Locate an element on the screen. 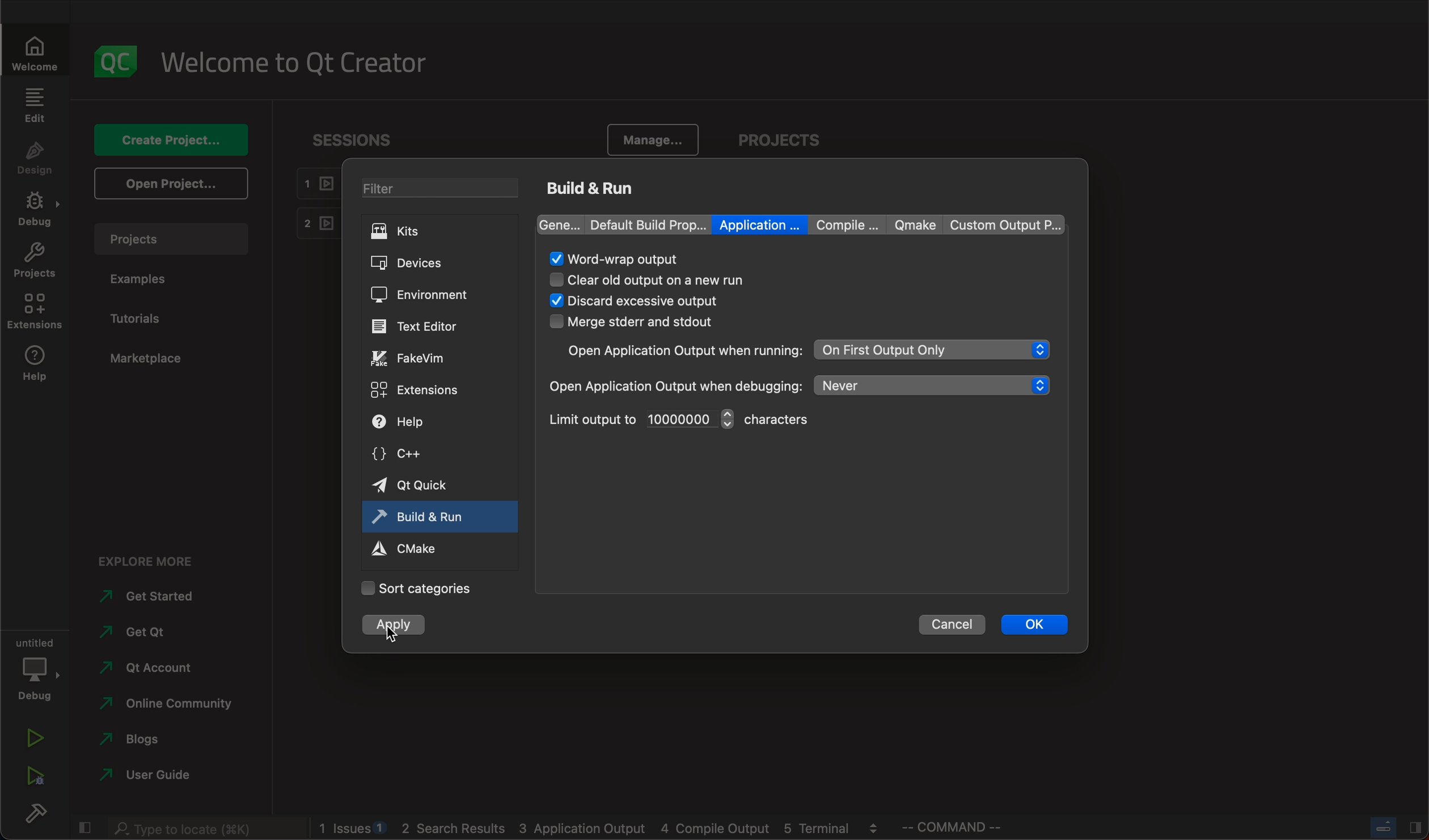 The height and width of the screenshot is (840, 1429). ok is located at coordinates (1033, 624).